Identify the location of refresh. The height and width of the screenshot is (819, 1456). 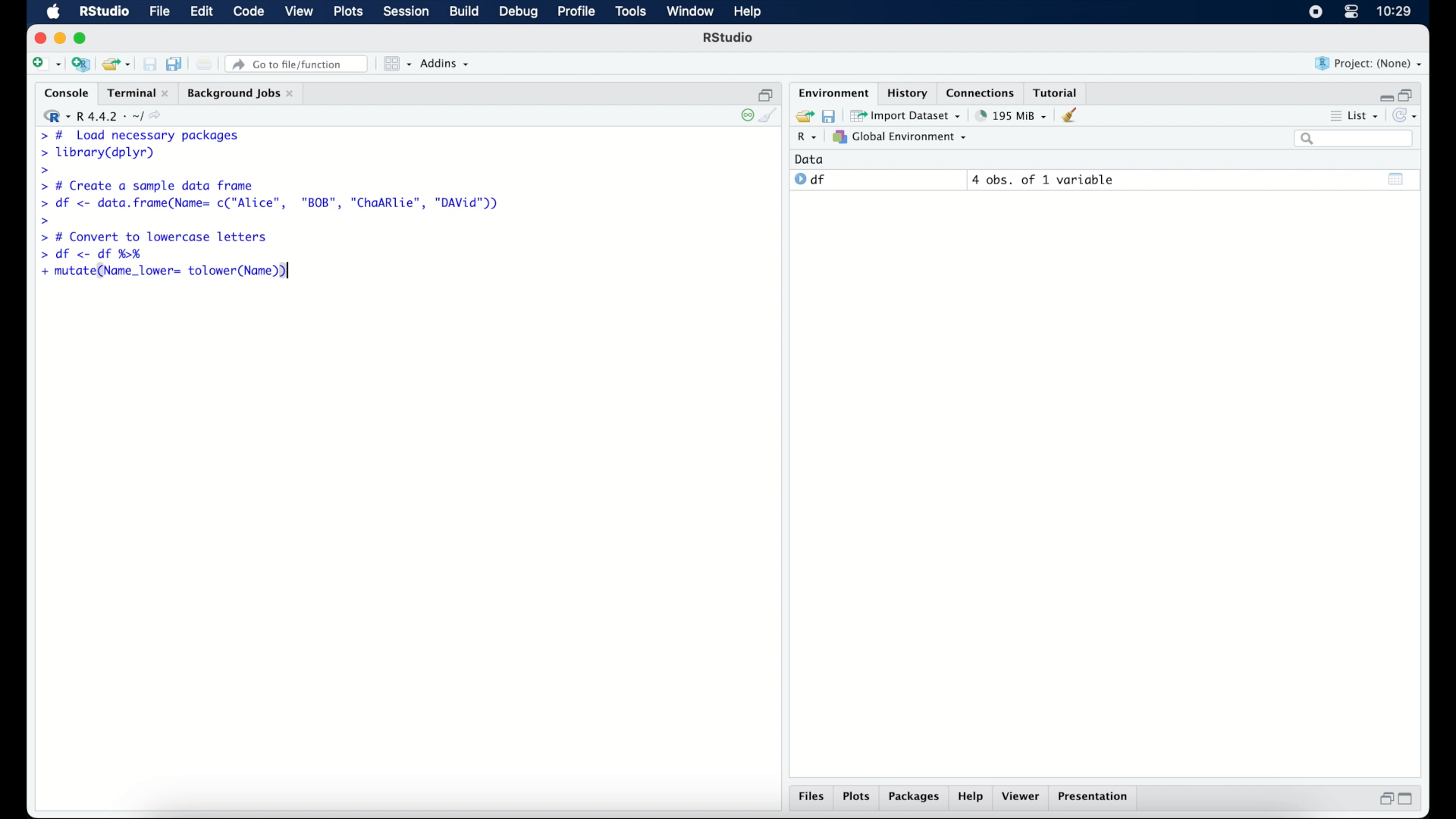
(1407, 117).